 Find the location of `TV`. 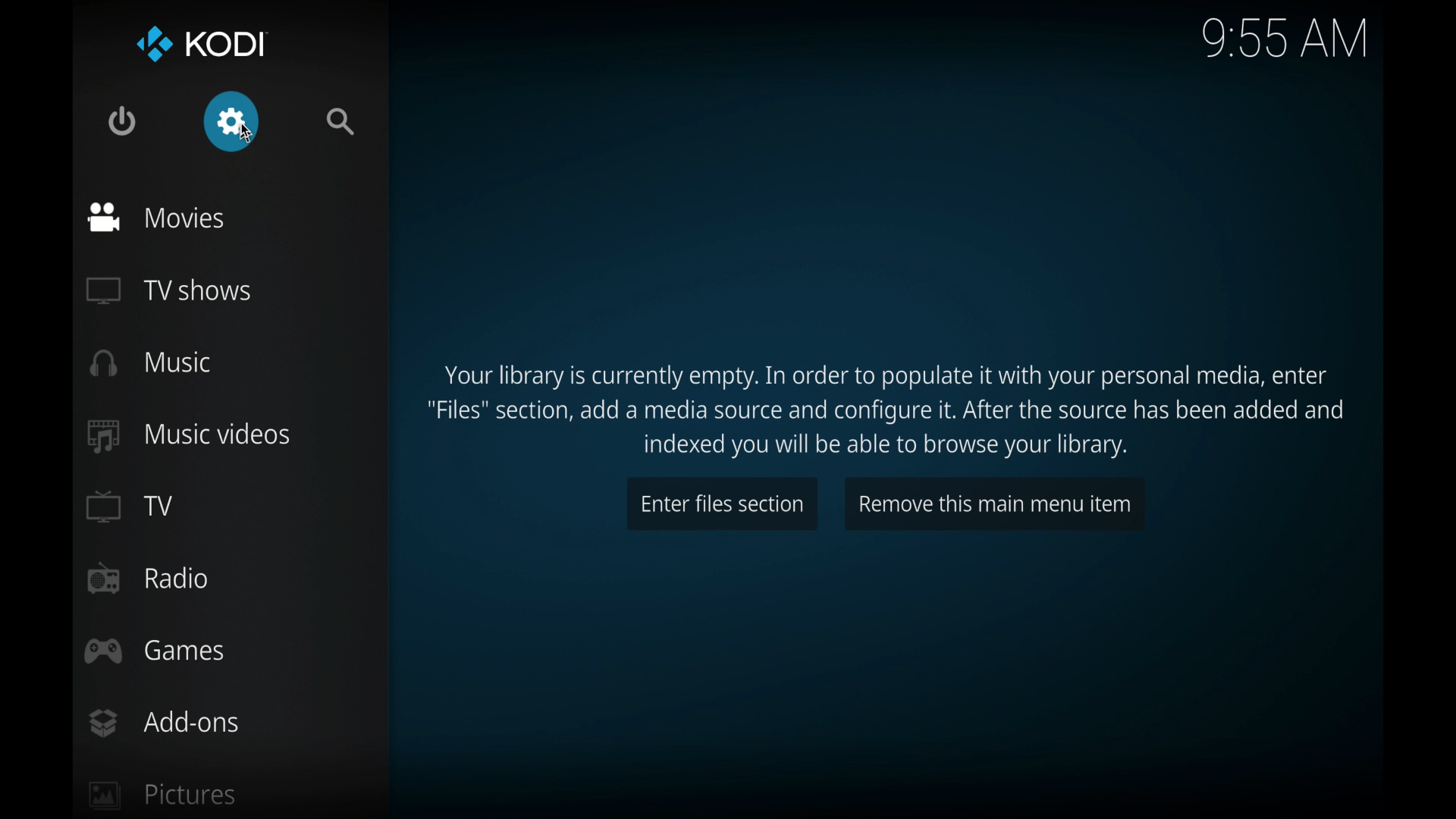

TV is located at coordinates (131, 507).